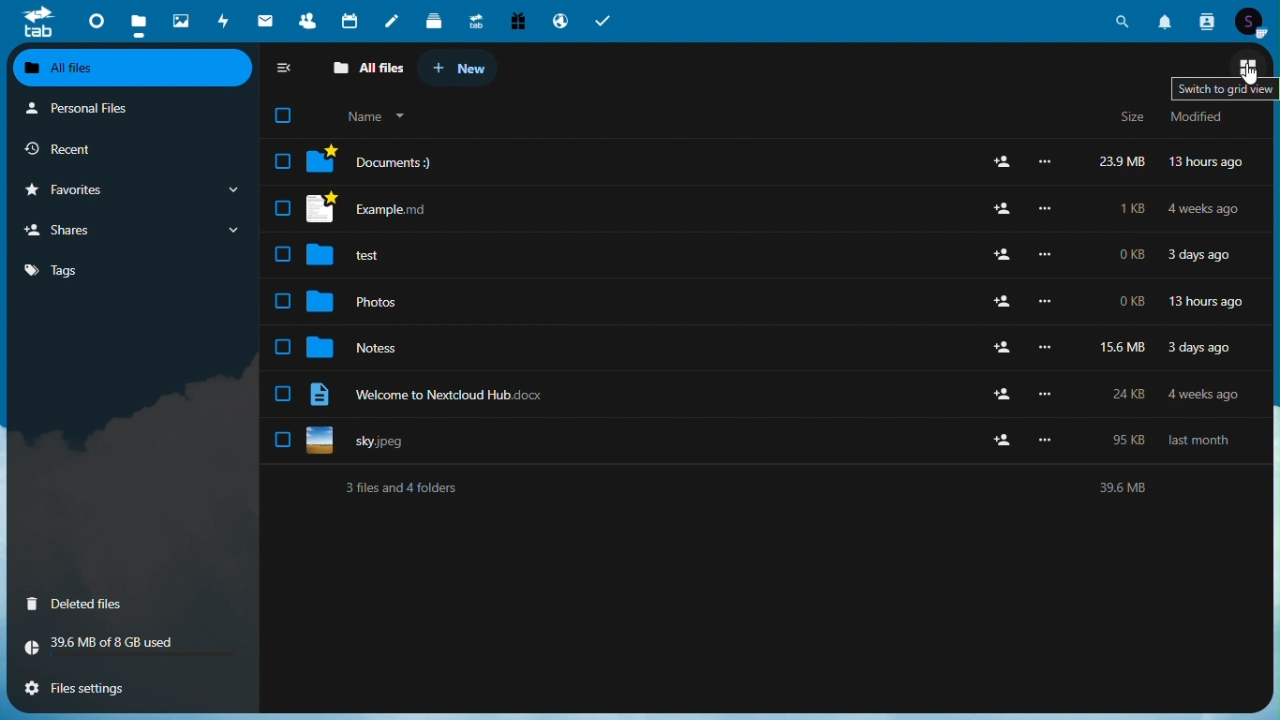  Describe the element at coordinates (34, 23) in the screenshot. I see `tab` at that location.